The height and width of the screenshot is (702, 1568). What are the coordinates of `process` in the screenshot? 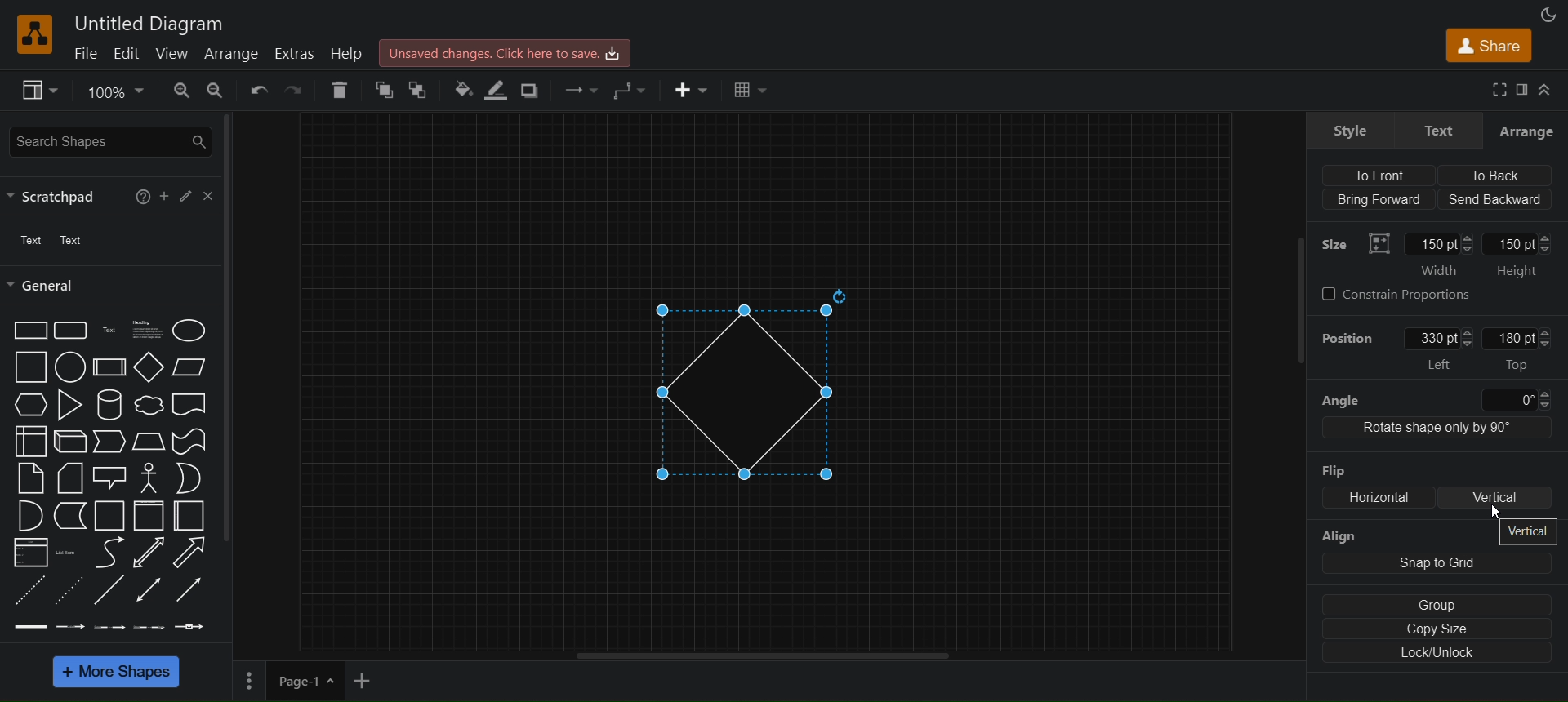 It's located at (108, 367).